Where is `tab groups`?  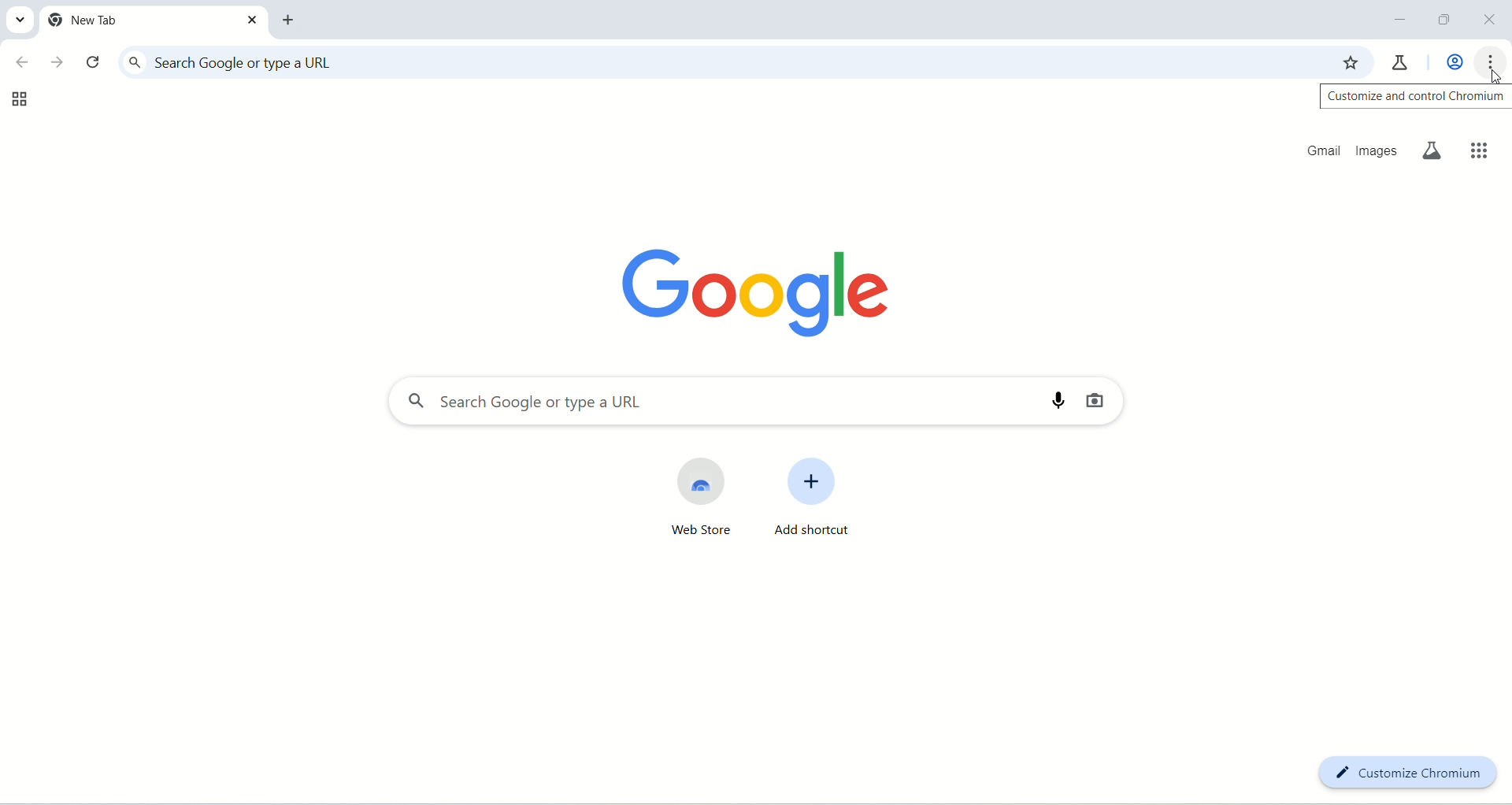 tab groups is located at coordinates (15, 100).